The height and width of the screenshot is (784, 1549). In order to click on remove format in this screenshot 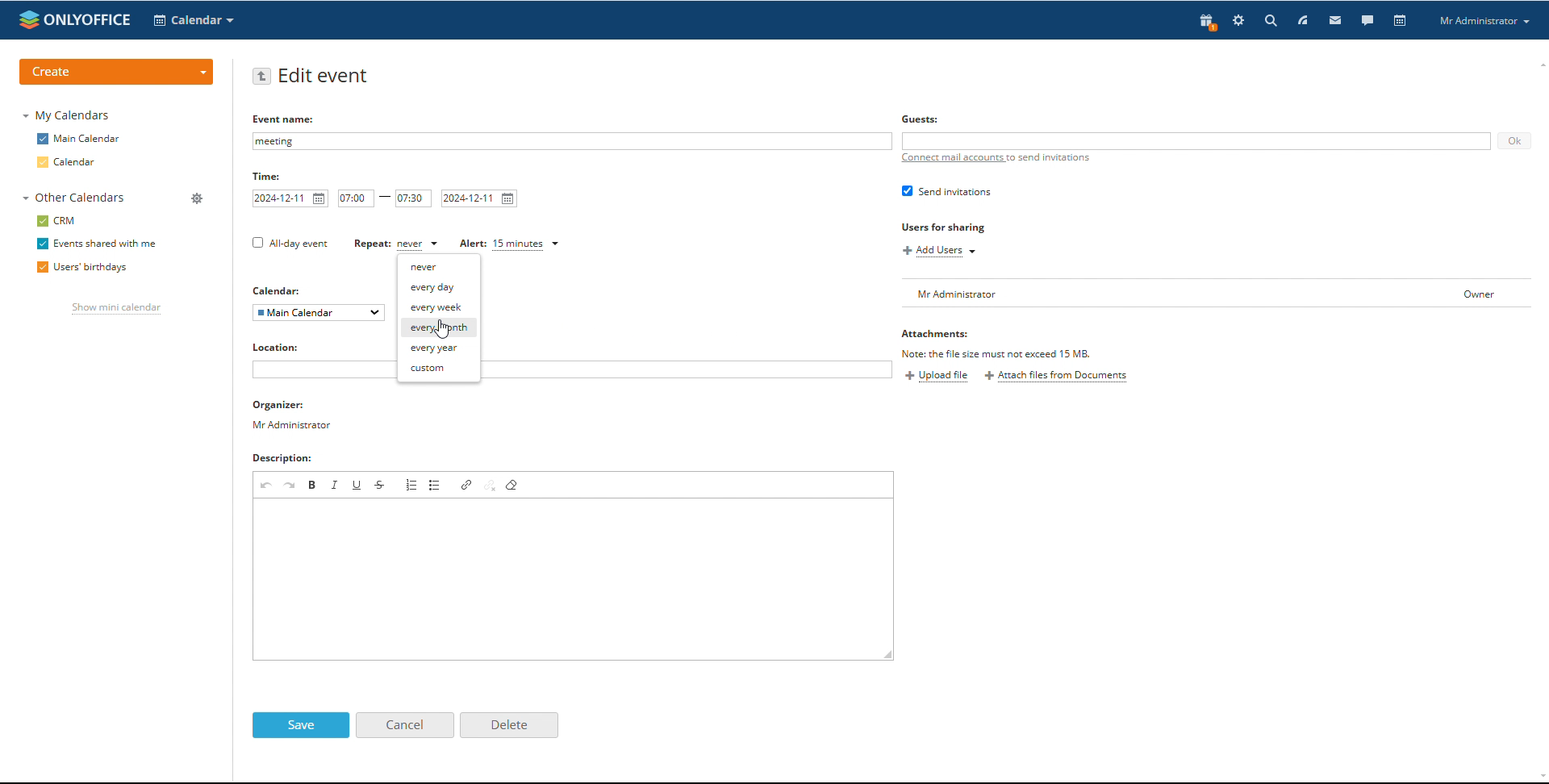, I will do `click(512, 484)`.